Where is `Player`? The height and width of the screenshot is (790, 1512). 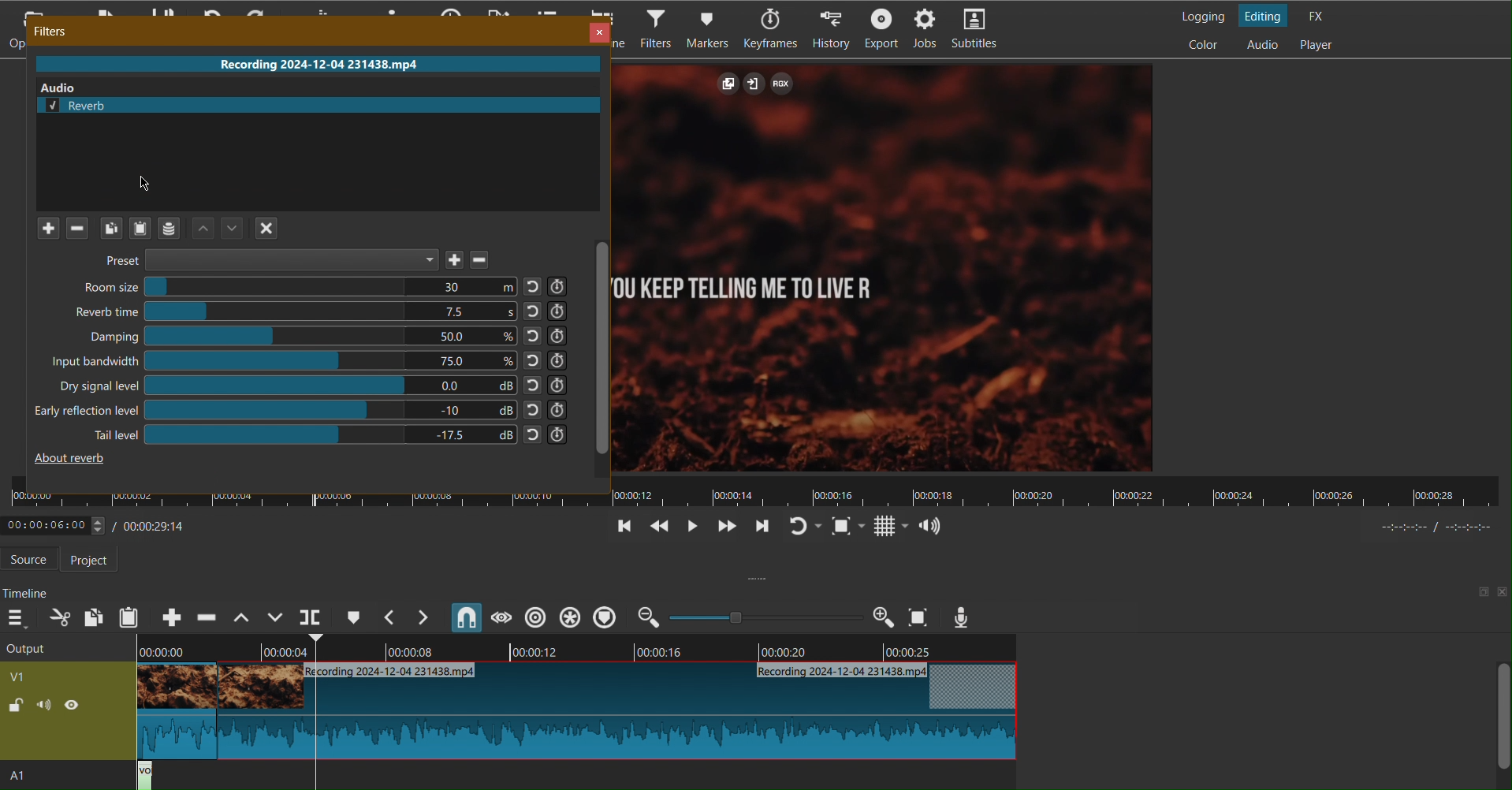 Player is located at coordinates (1319, 46).